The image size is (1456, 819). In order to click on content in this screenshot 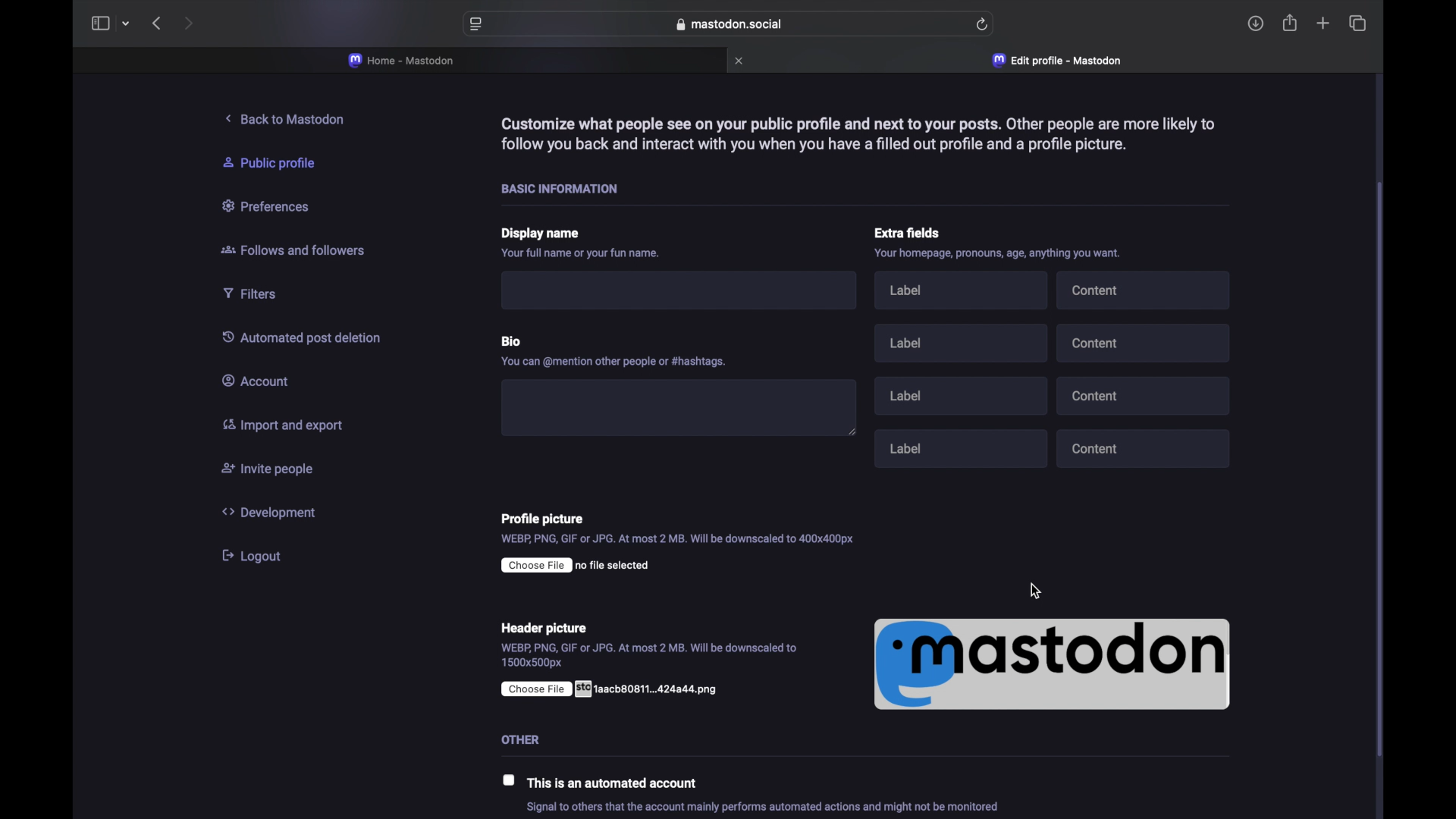, I will do `click(1145, 450)`.